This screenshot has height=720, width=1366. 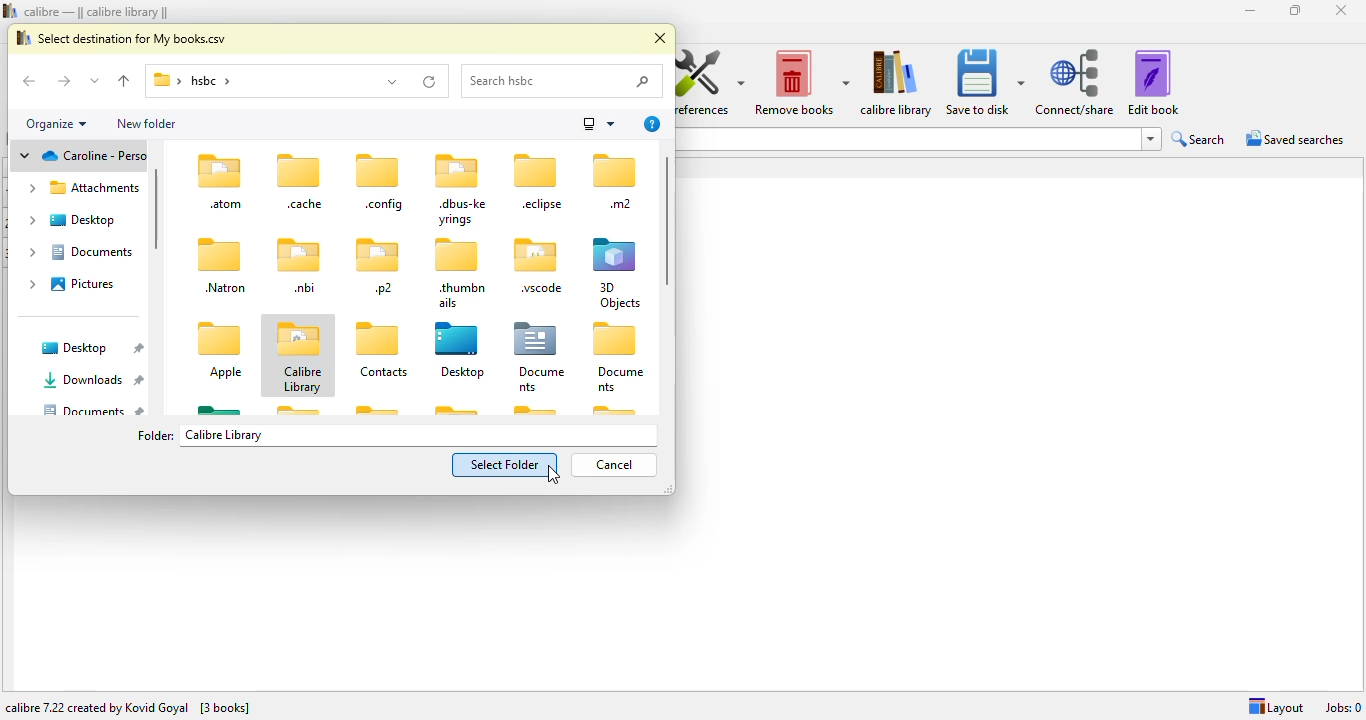 I want to click on remove books, so click(x=801, y=82).